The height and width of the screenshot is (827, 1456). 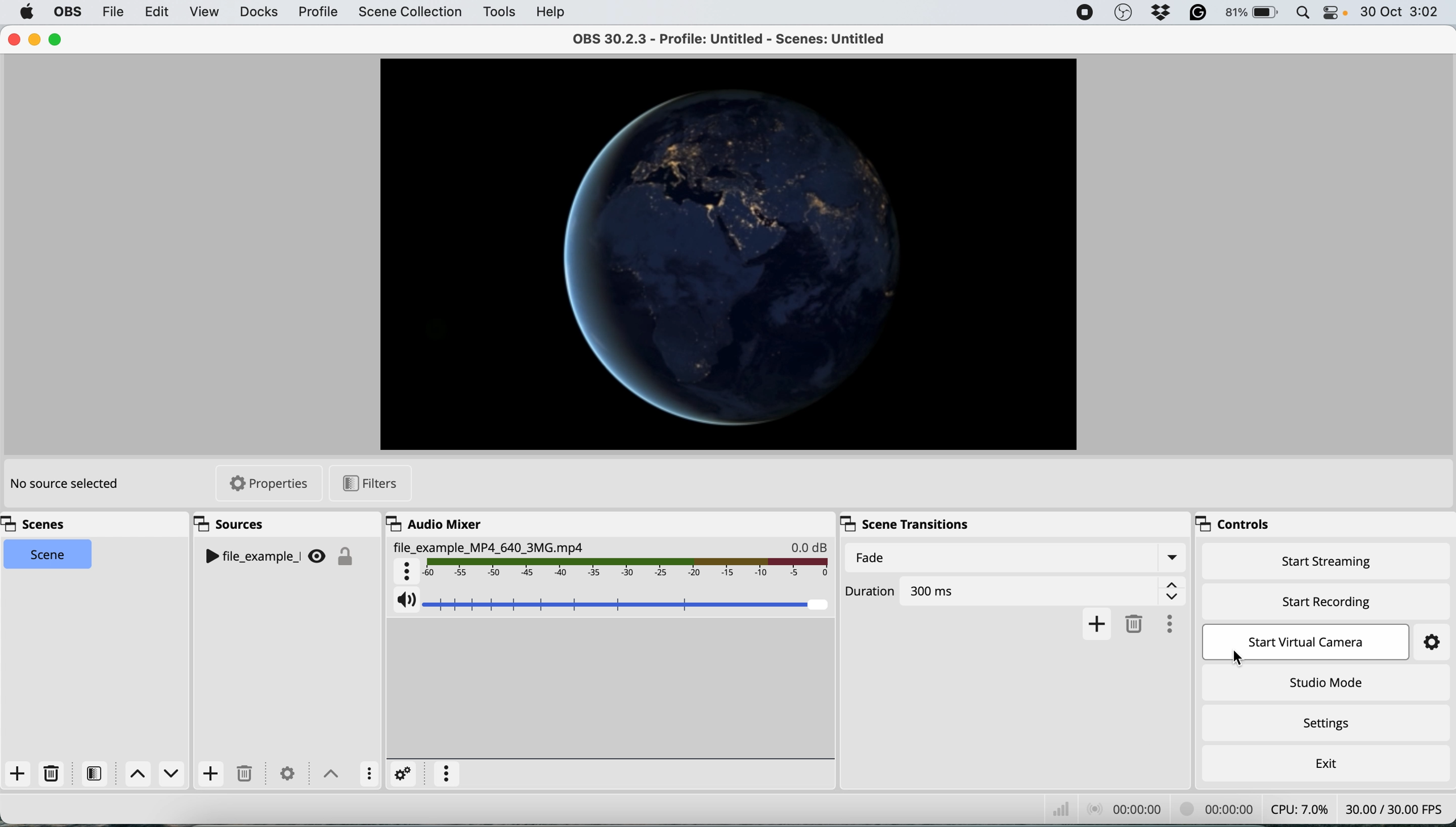 What do you see at coordinates (498, 12) in the screenshot?
I see `tools` at bounding box center [498, 12].